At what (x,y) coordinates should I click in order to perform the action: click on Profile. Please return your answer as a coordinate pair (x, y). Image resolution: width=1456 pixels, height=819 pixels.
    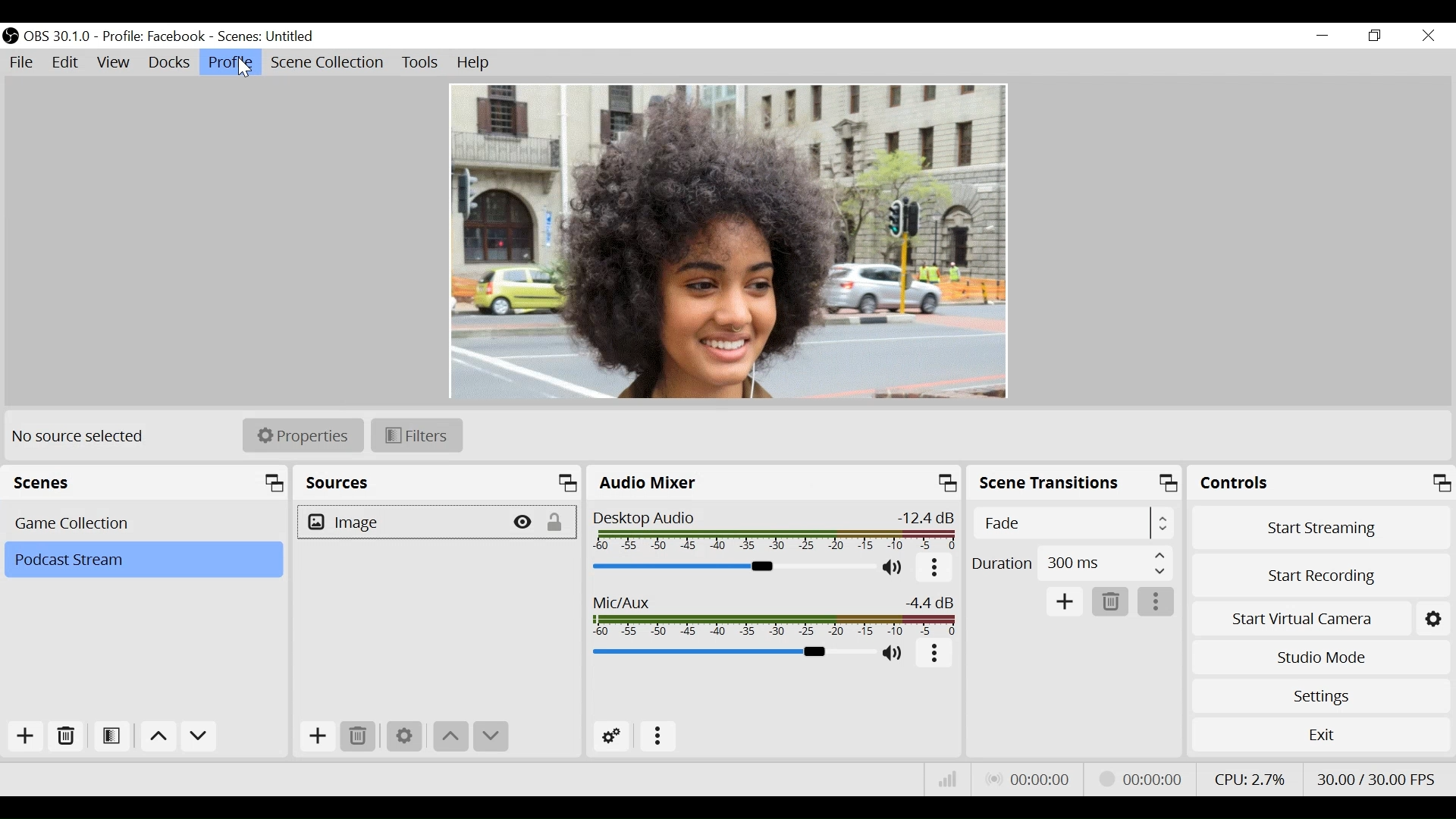
    Looking at the image, I should click on (229, 62).